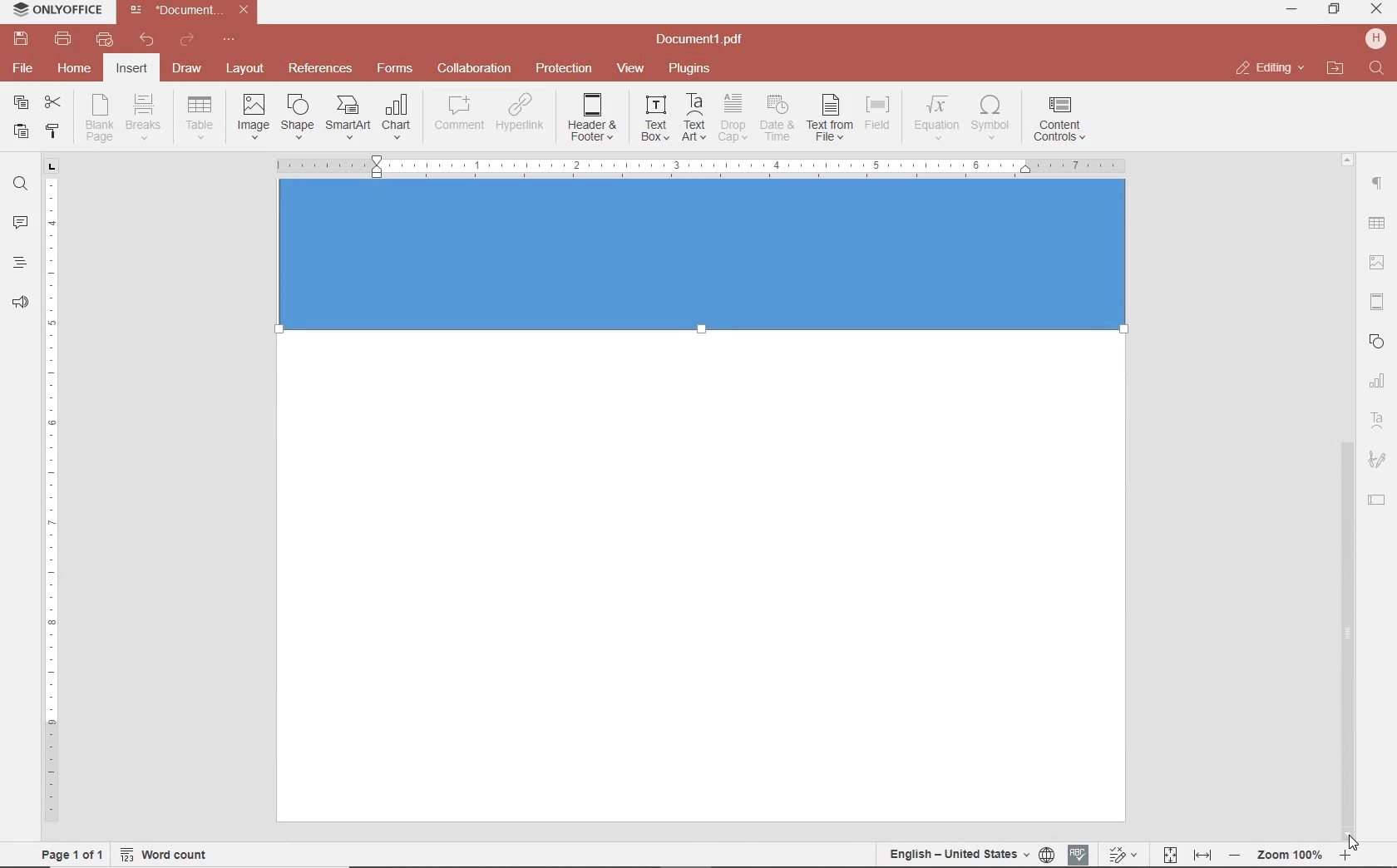  I want to click on protection, so click(565, 69).